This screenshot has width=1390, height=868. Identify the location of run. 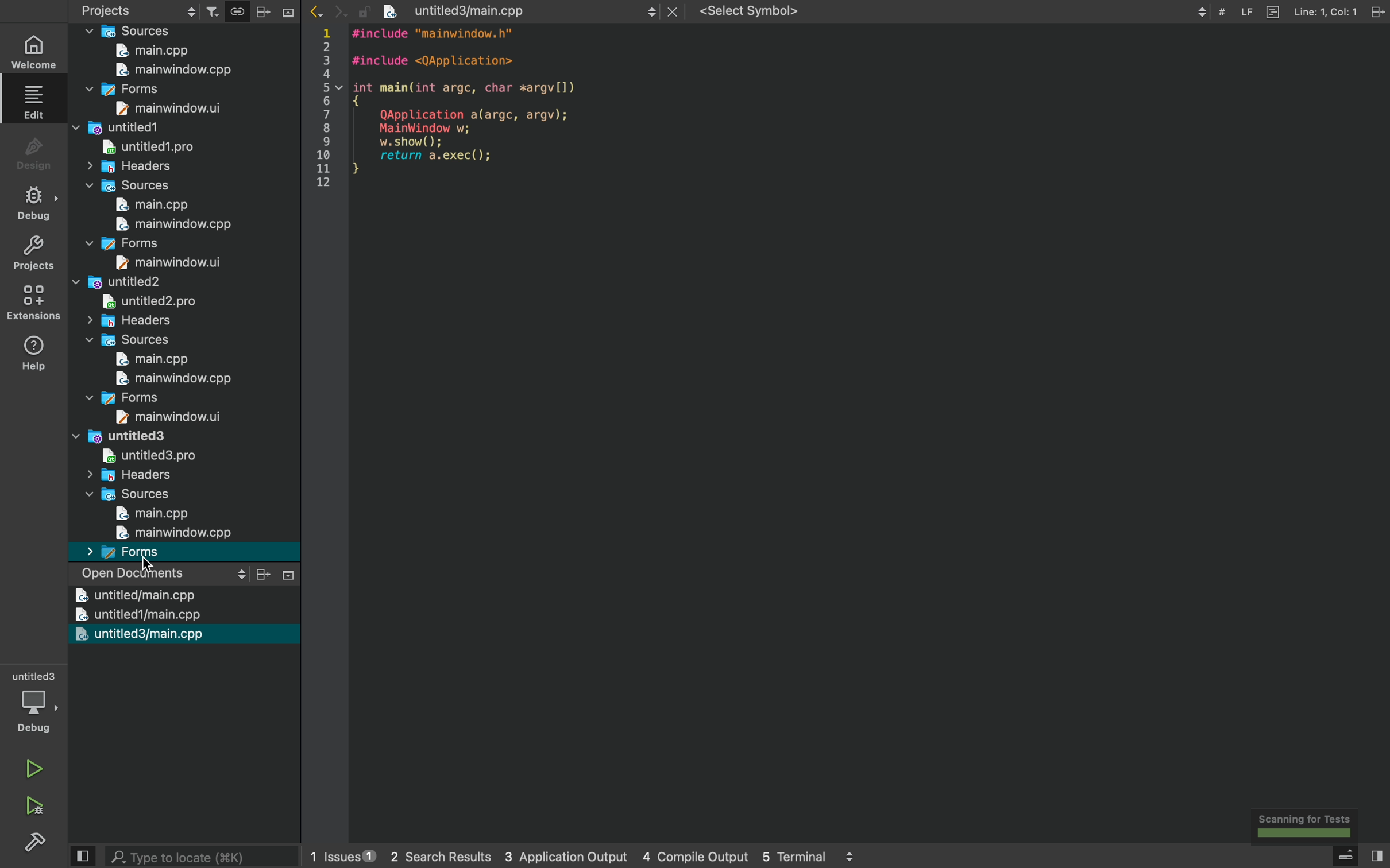
(34, 764).